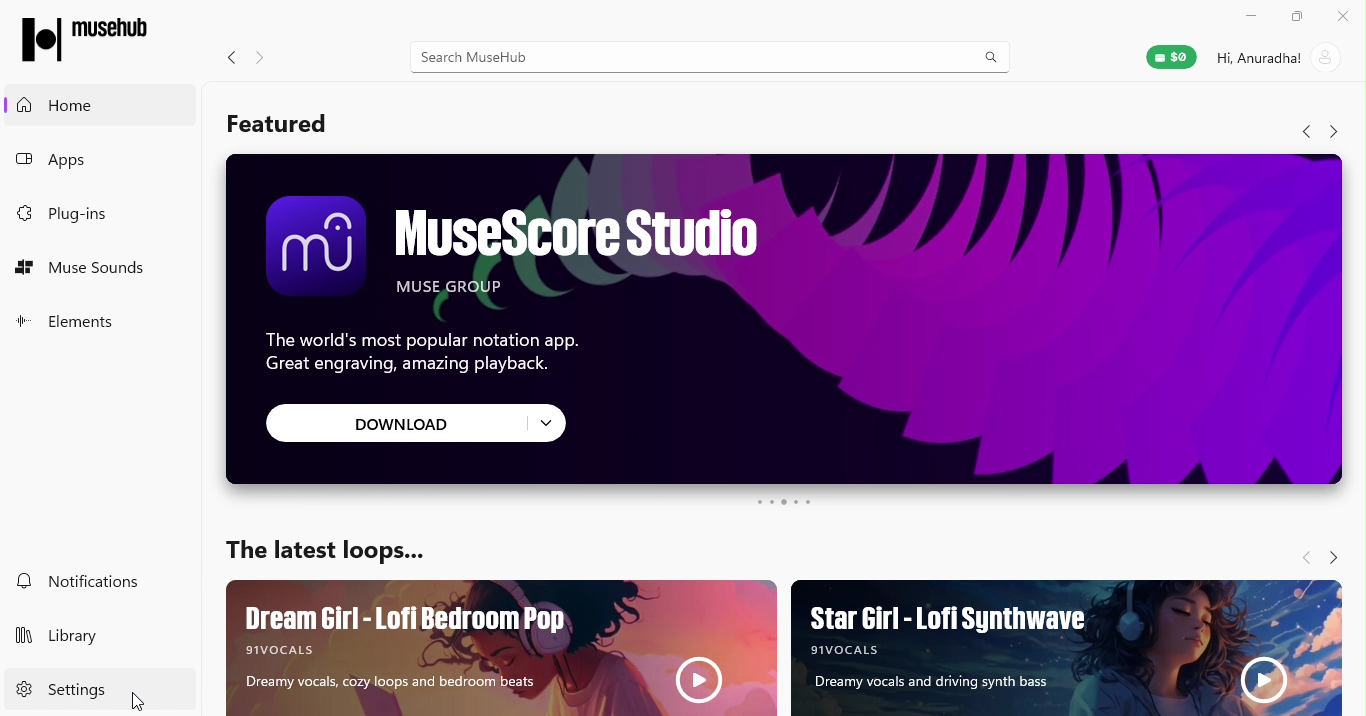 Image resolution: width=1366 pixels, height=716 pixels. What do you see at coordinates (64, 157) in the screenshot?
I see `Apps` at bounding box center [64, 157].